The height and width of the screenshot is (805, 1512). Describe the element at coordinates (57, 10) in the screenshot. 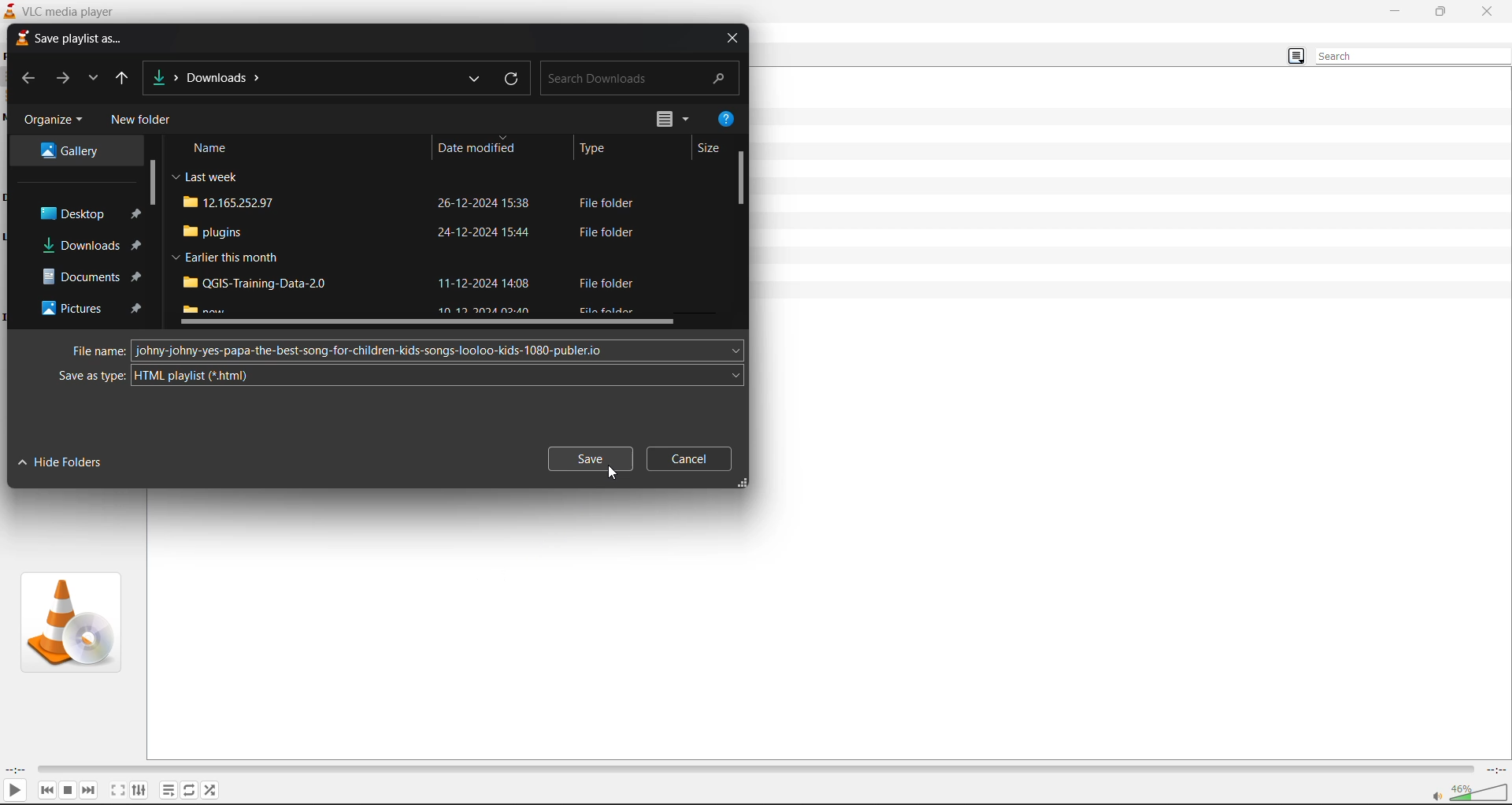

I see `VLC Media player` at that location.